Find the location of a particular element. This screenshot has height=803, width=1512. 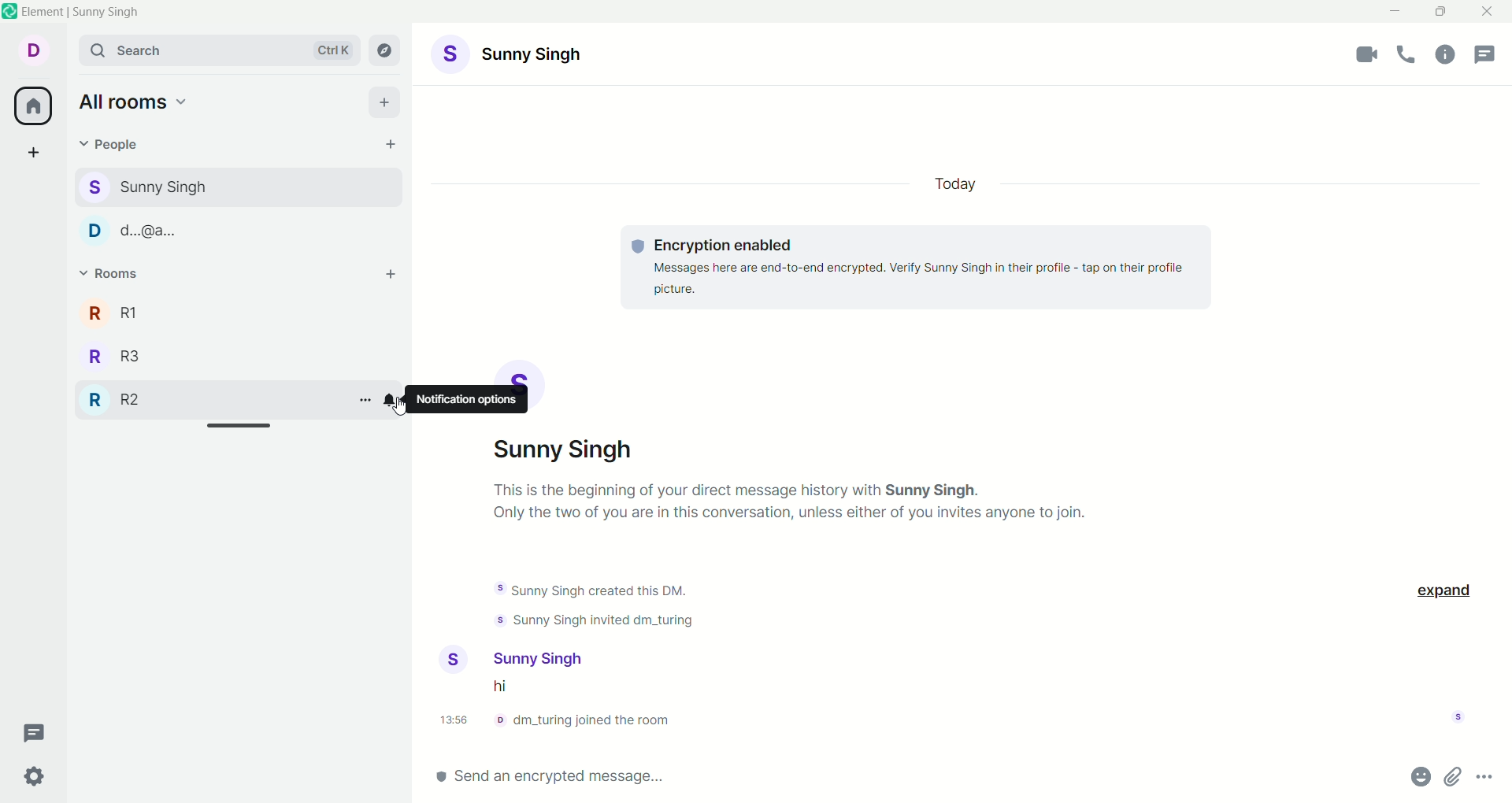

maximize is located at coordinates (1442, 12).